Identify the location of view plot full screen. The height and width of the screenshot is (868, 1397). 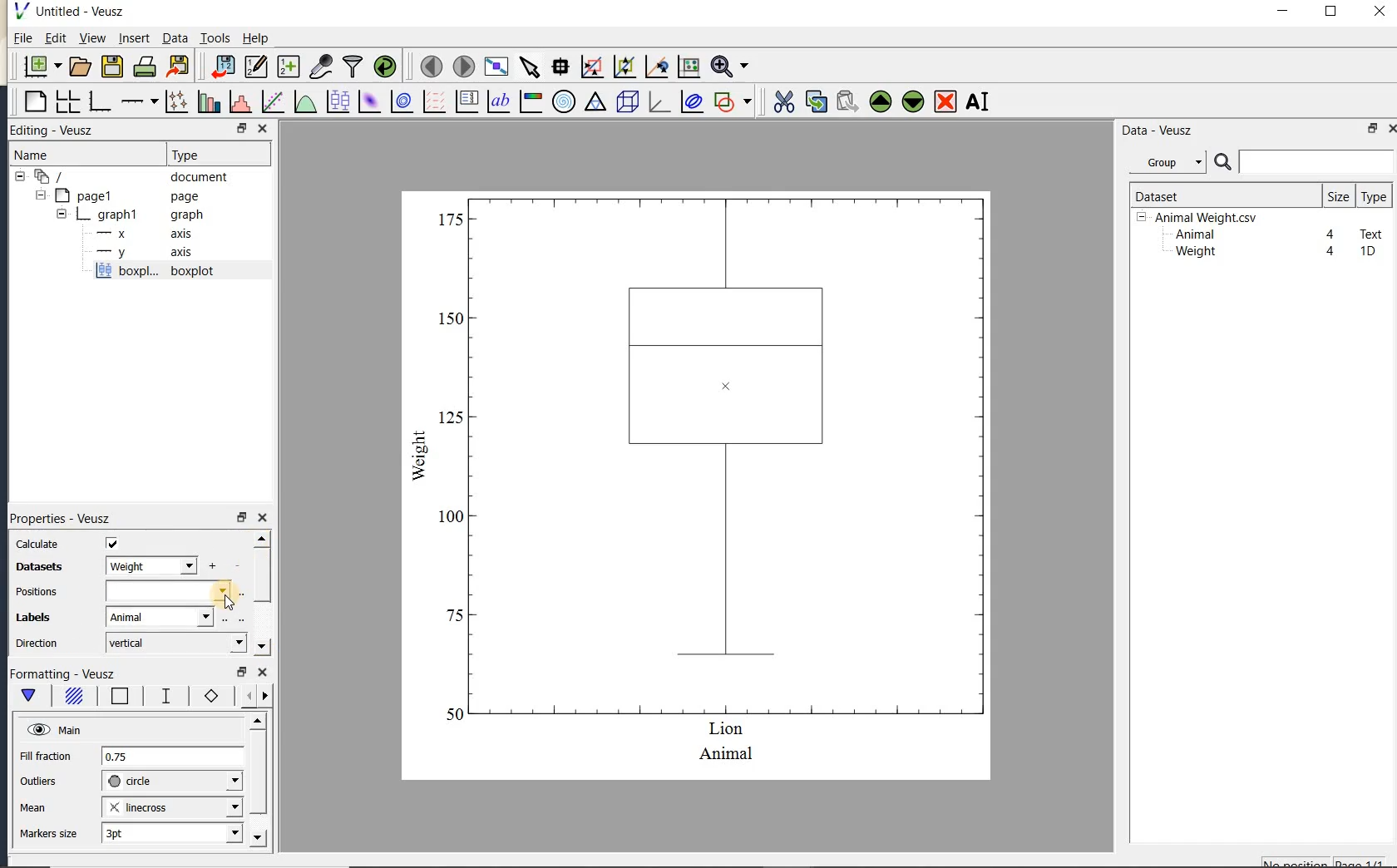
(496, 67).